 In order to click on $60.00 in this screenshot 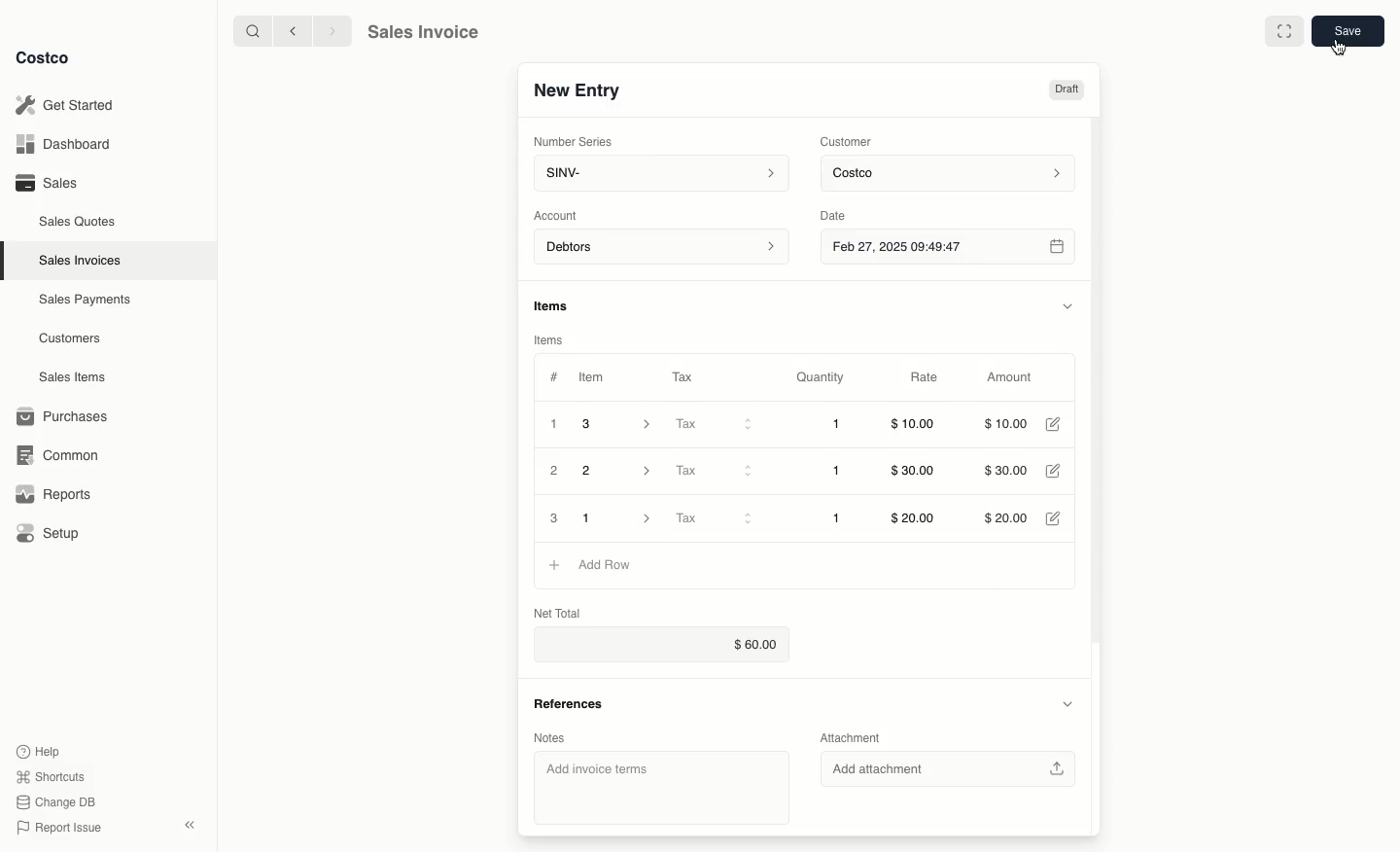, I will do `click(671, 645)`.